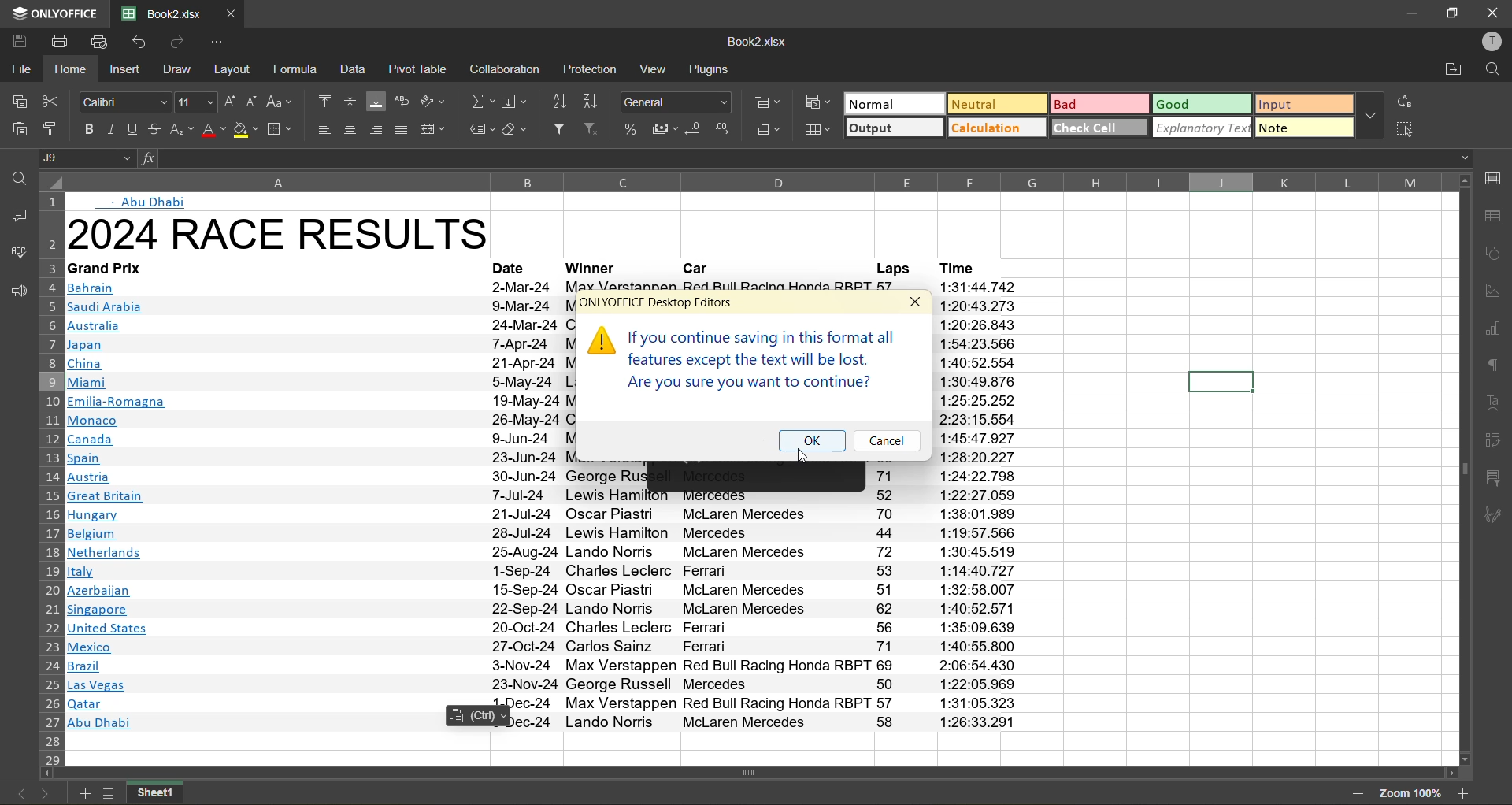 Image resolution: width=1512 pixels, height=805 pixels. Describe the element at coordinates (323, 128) in the screenshot. I see `align left` at that location.